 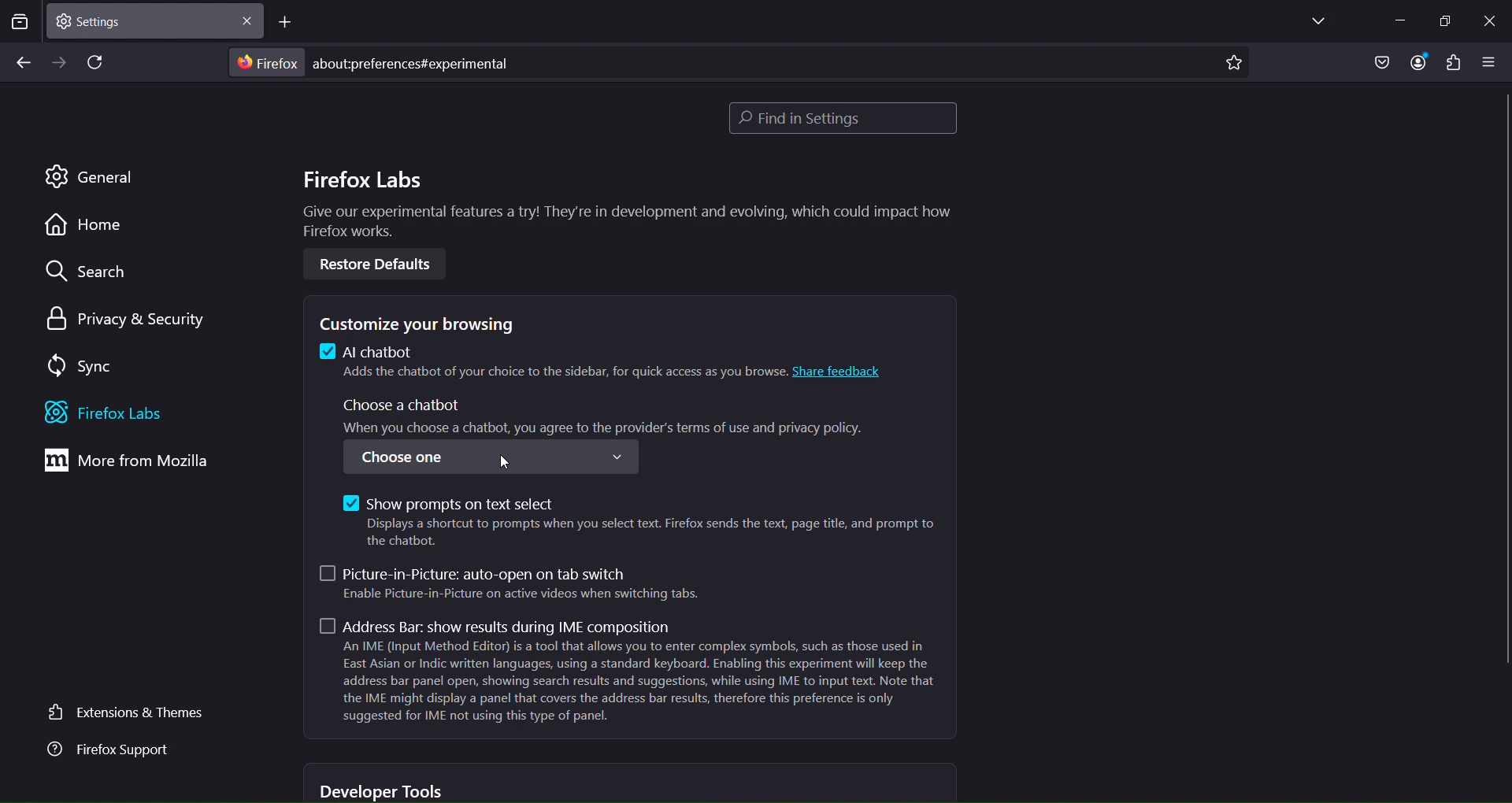 I want to click on  Firefox, so click(x=265, y=63).